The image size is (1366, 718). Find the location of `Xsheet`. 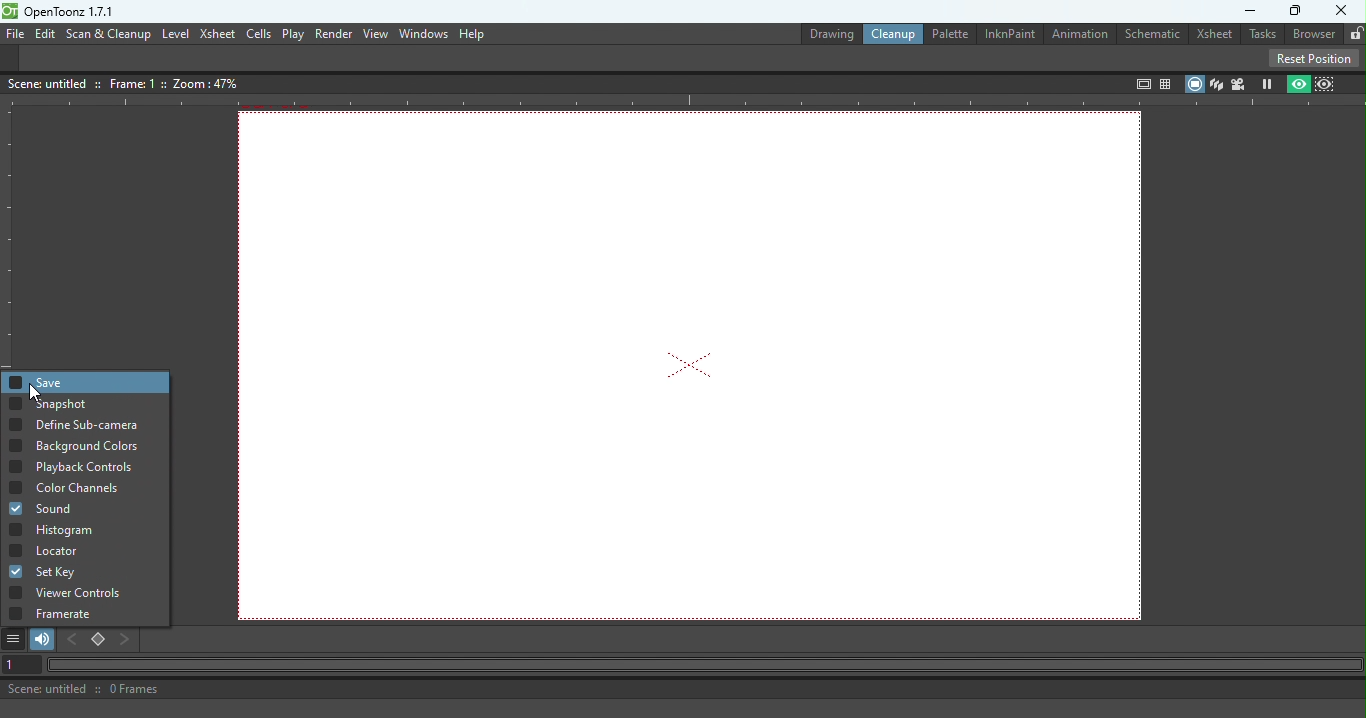

Xsheet is located at coordinates (217, 35).